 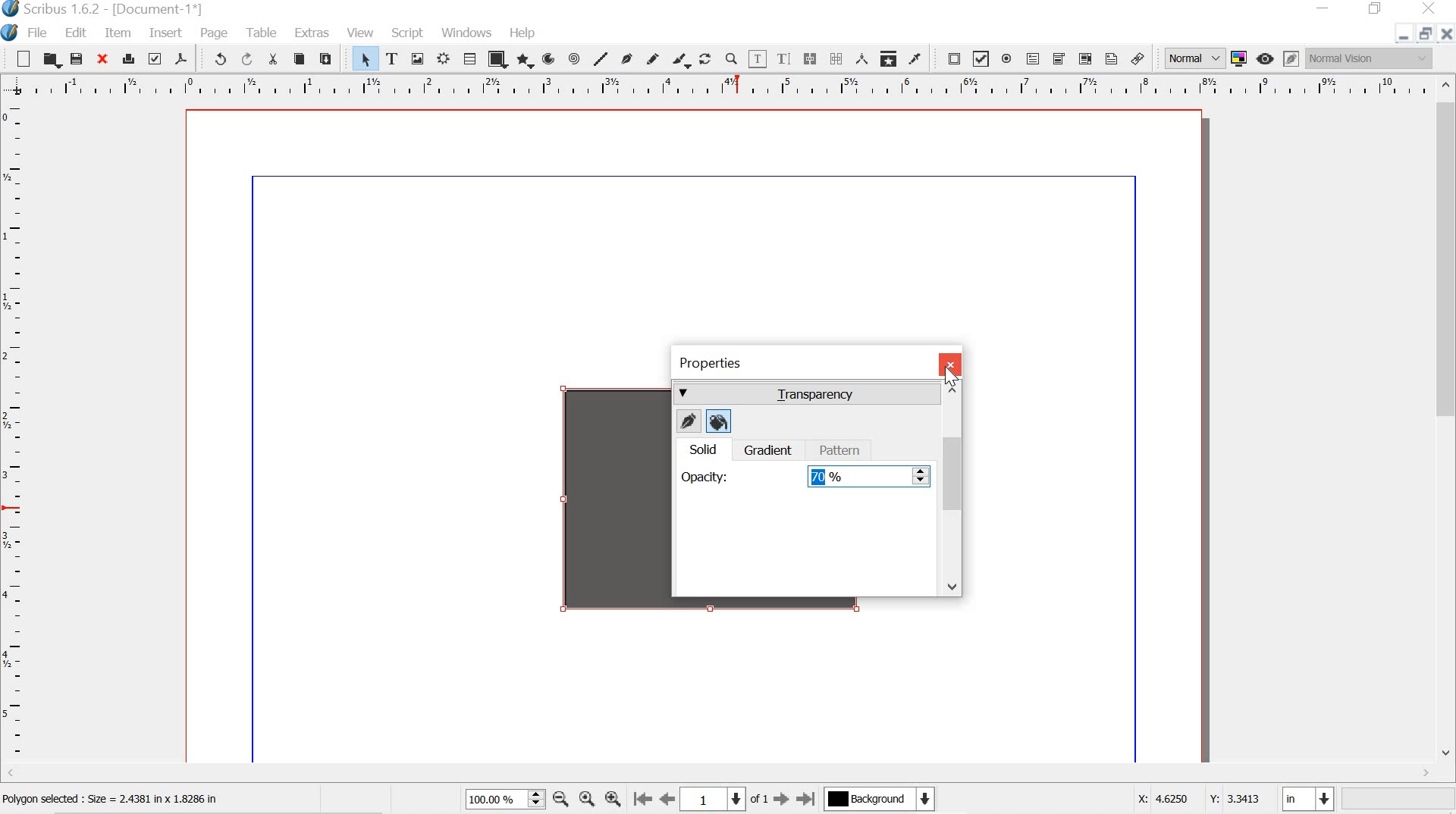 What do you see at coordinates (418, 59) in the screenshot?
I see `image frame` at bounding box center [418, 59].